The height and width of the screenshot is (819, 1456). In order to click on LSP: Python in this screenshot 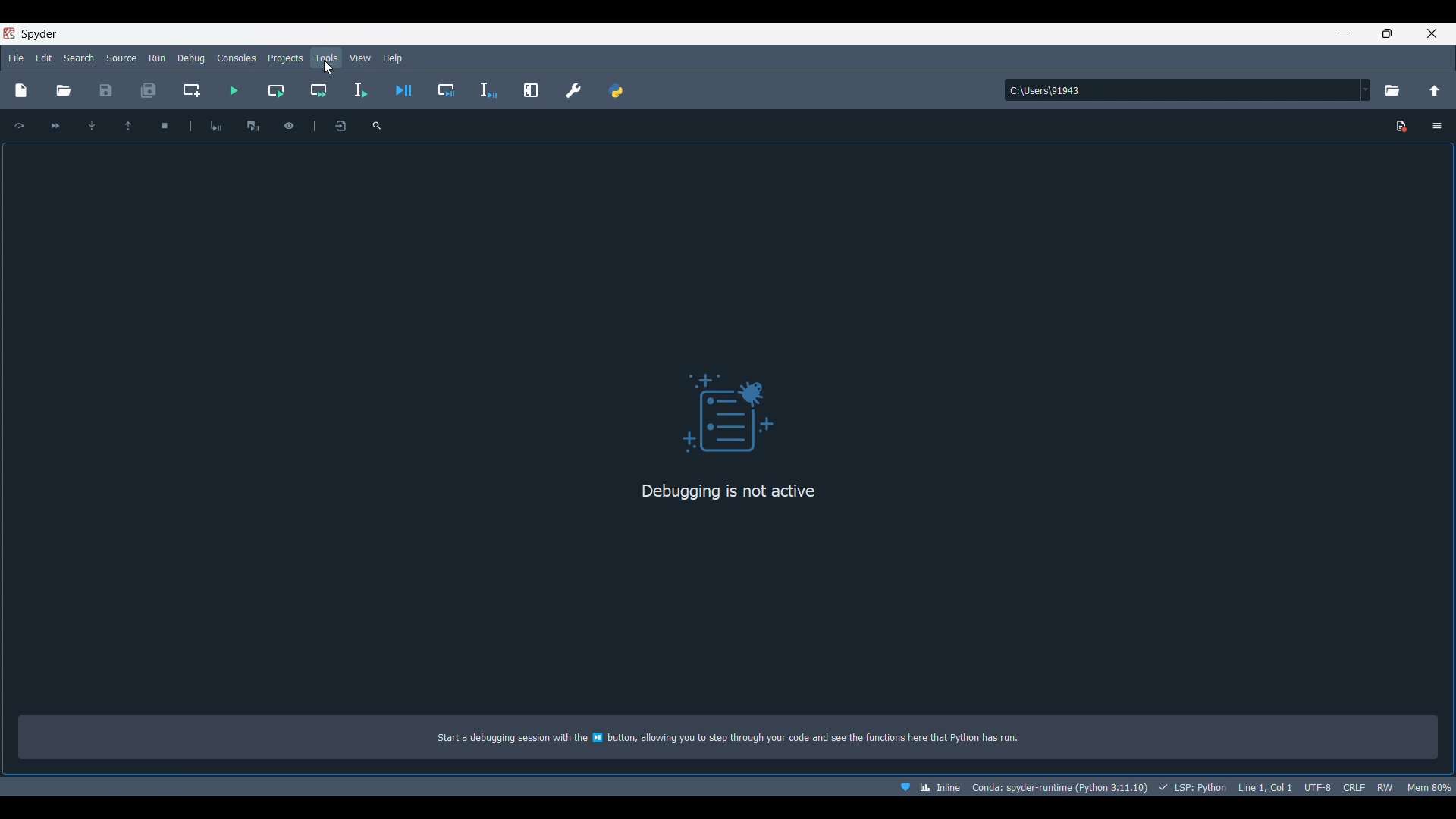, I will do `click(1191, 787)`.